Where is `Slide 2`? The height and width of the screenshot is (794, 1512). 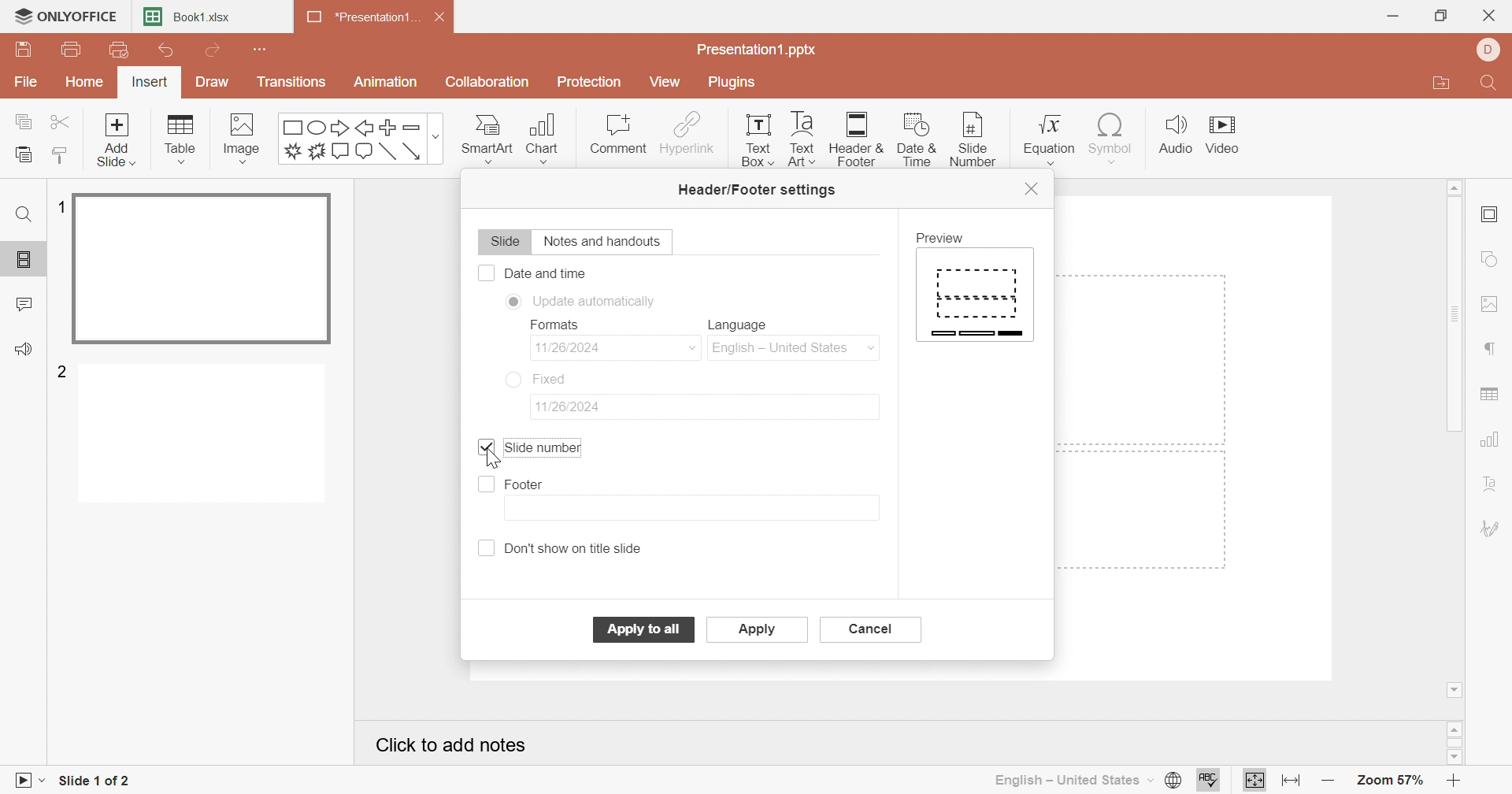
Slide 2 is located at coordinates (206, 436).